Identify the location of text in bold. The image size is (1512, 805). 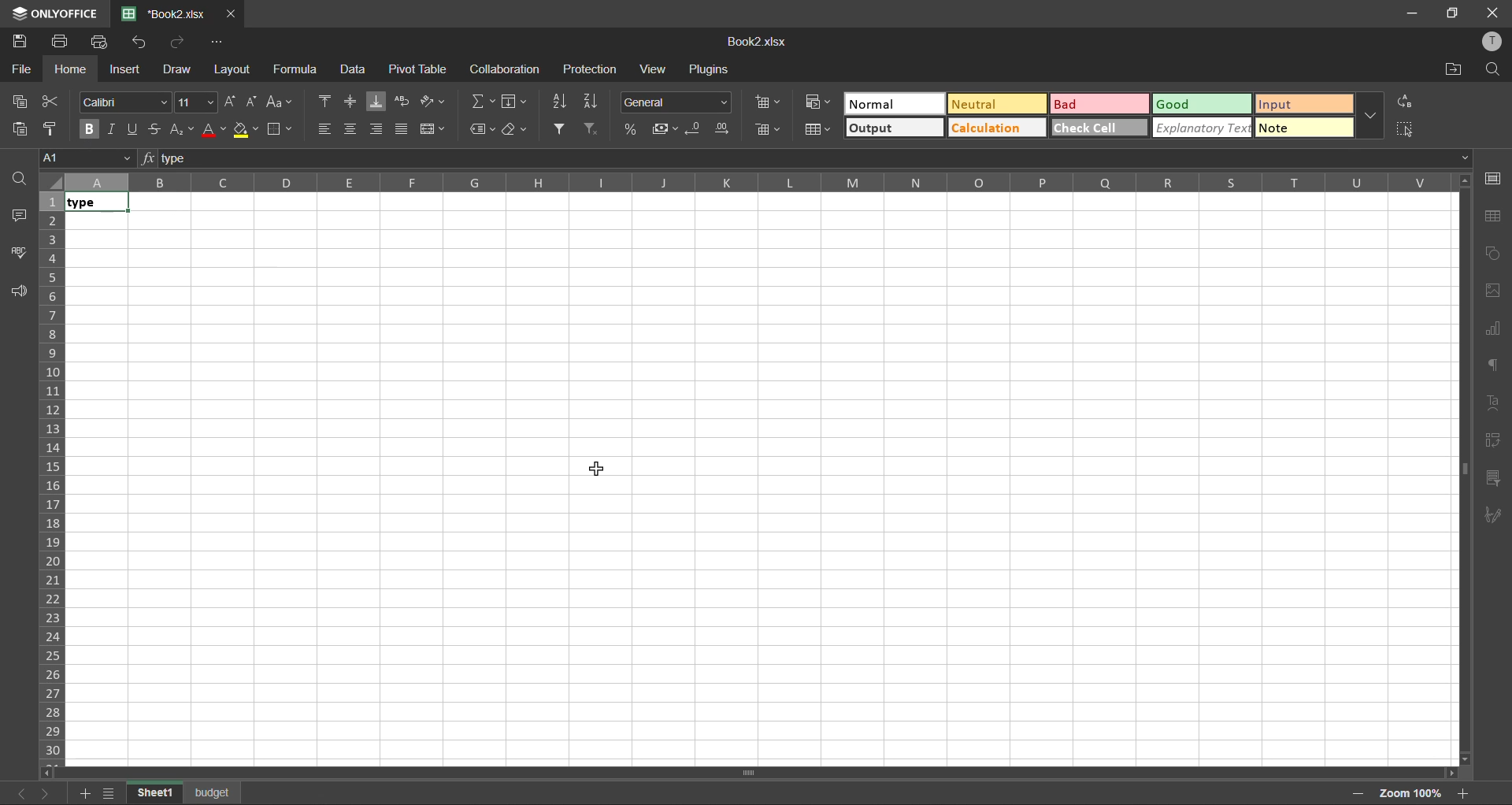
(84, 203).